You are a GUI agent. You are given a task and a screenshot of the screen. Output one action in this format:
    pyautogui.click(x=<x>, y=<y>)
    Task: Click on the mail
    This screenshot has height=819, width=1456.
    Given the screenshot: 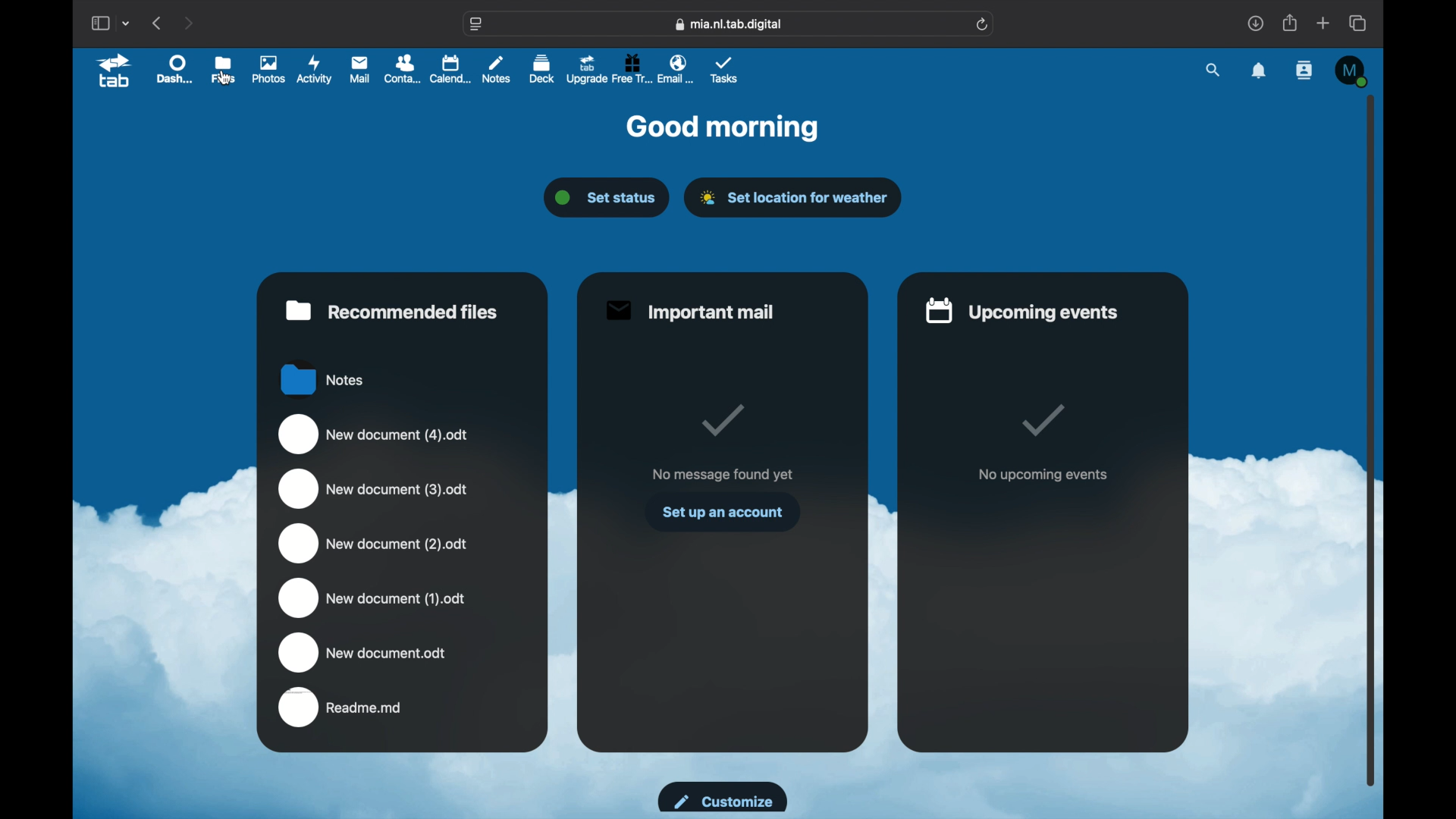 What is the action you would take?
    pyautogui.click(x=359, y=70)
    